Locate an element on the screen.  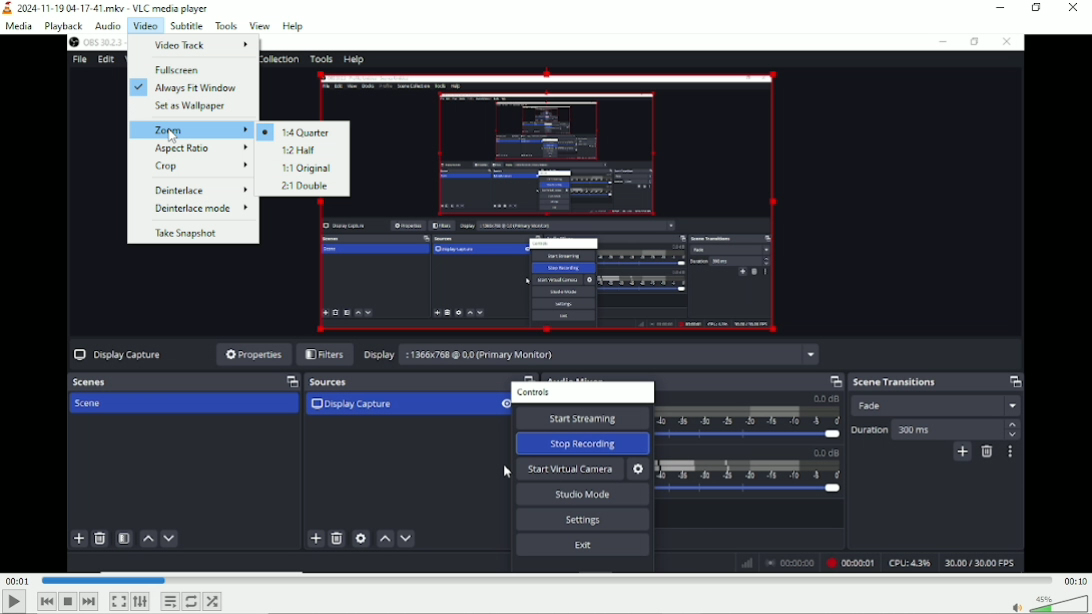
cursor is located at coordinates (174, 136).